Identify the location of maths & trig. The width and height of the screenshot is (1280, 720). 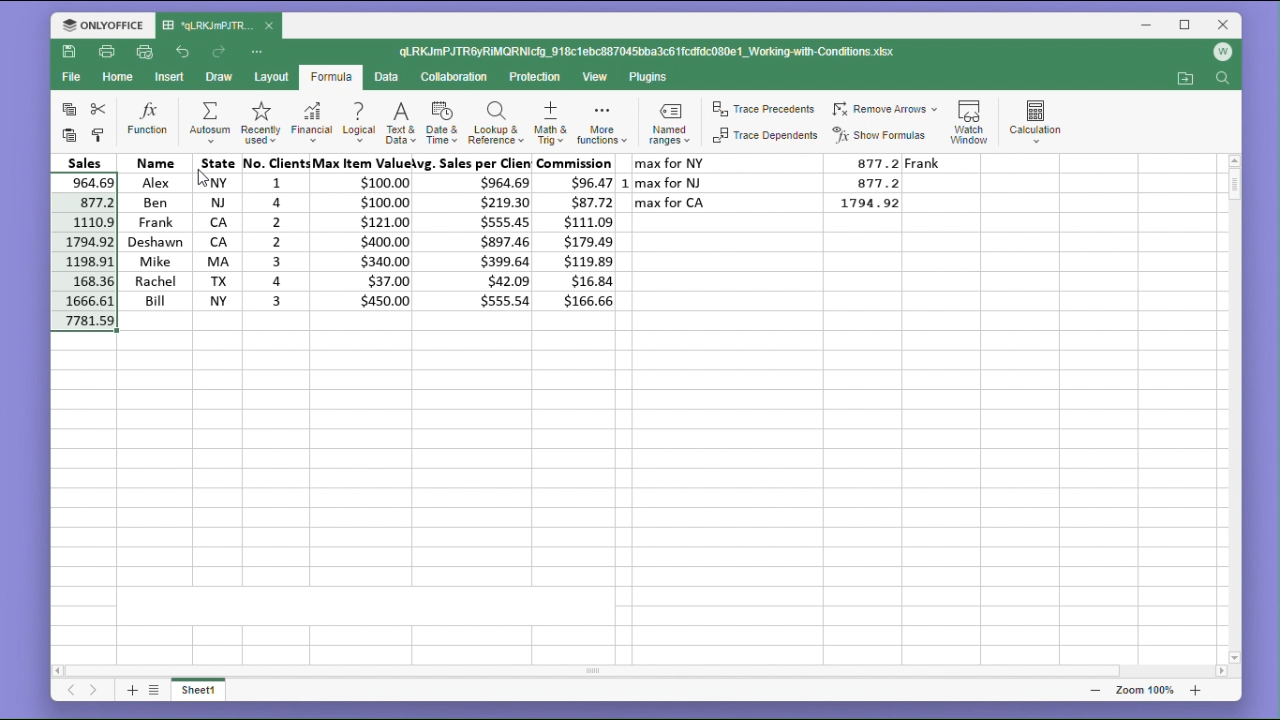
(549, 124).